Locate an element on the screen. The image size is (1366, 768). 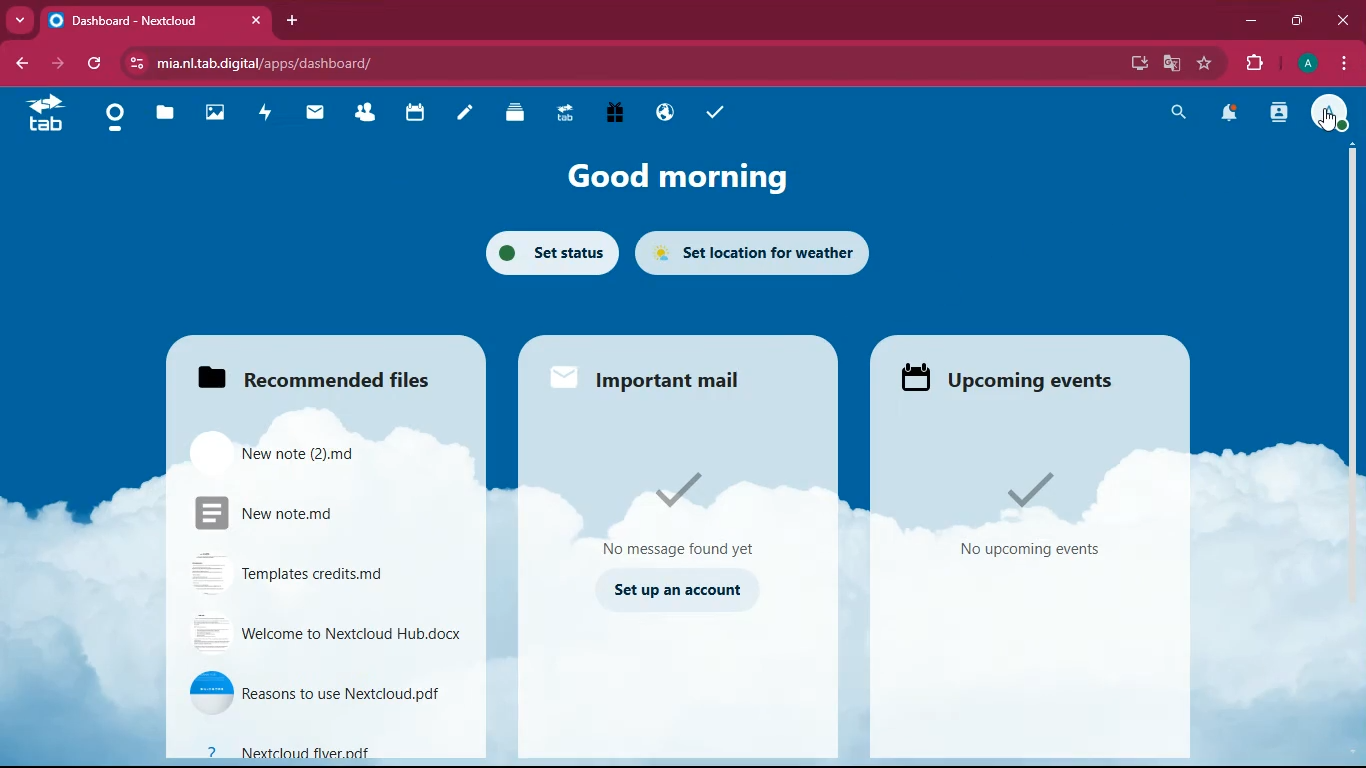
tab is located at coordinates (49, 117).